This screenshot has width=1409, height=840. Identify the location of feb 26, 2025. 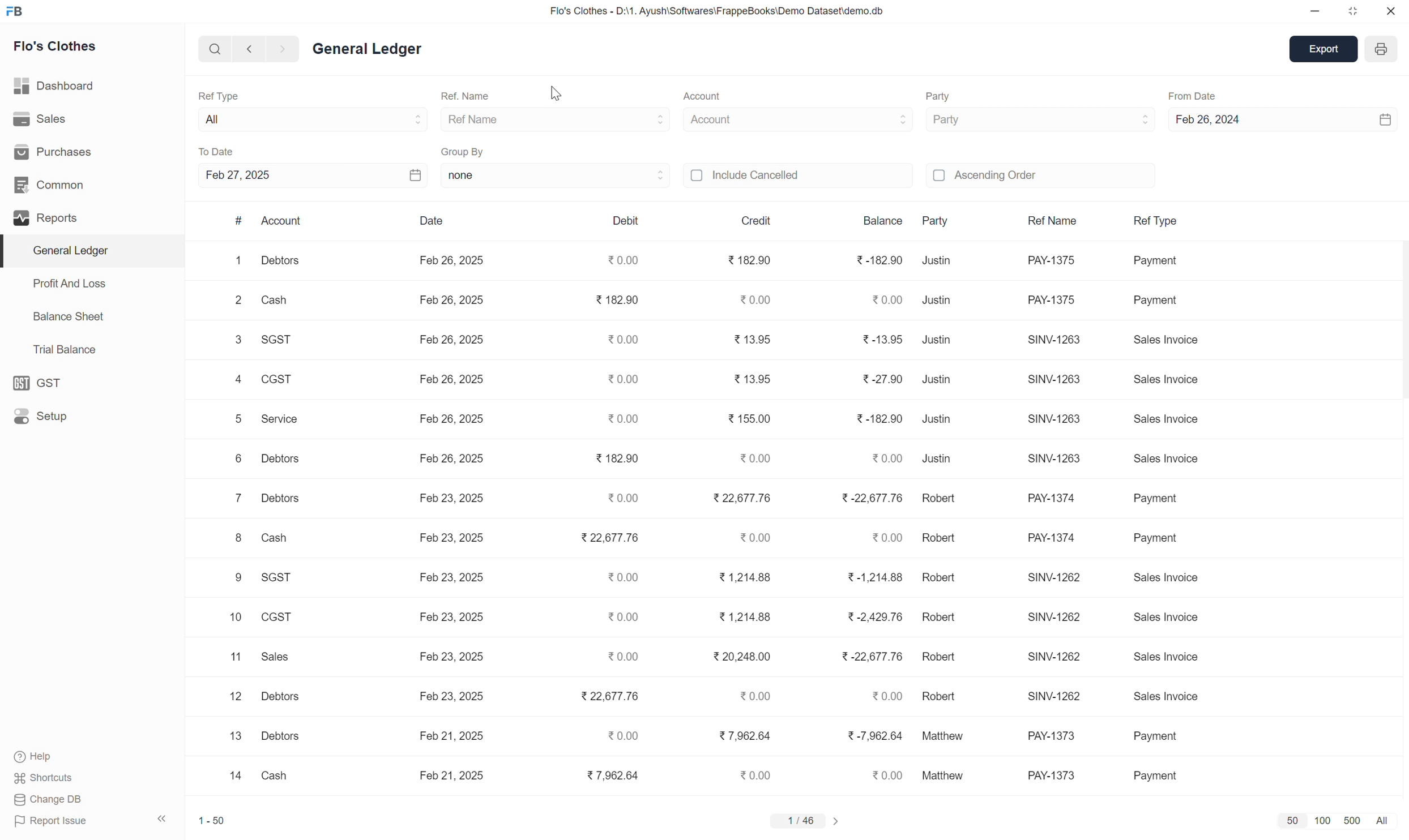
(451, 499).